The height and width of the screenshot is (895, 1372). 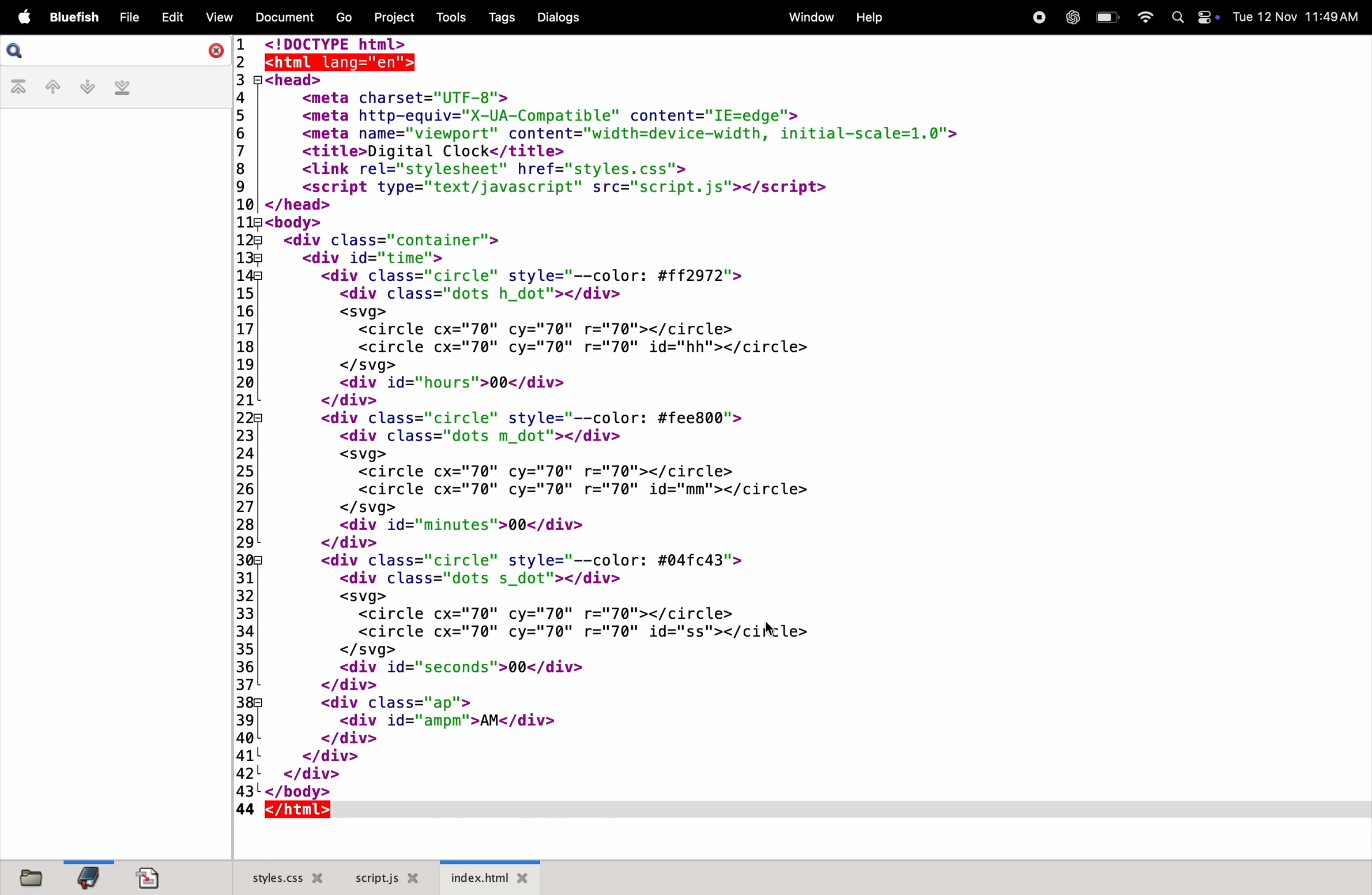 I want to click on cursor, so click(x=772, y=631).